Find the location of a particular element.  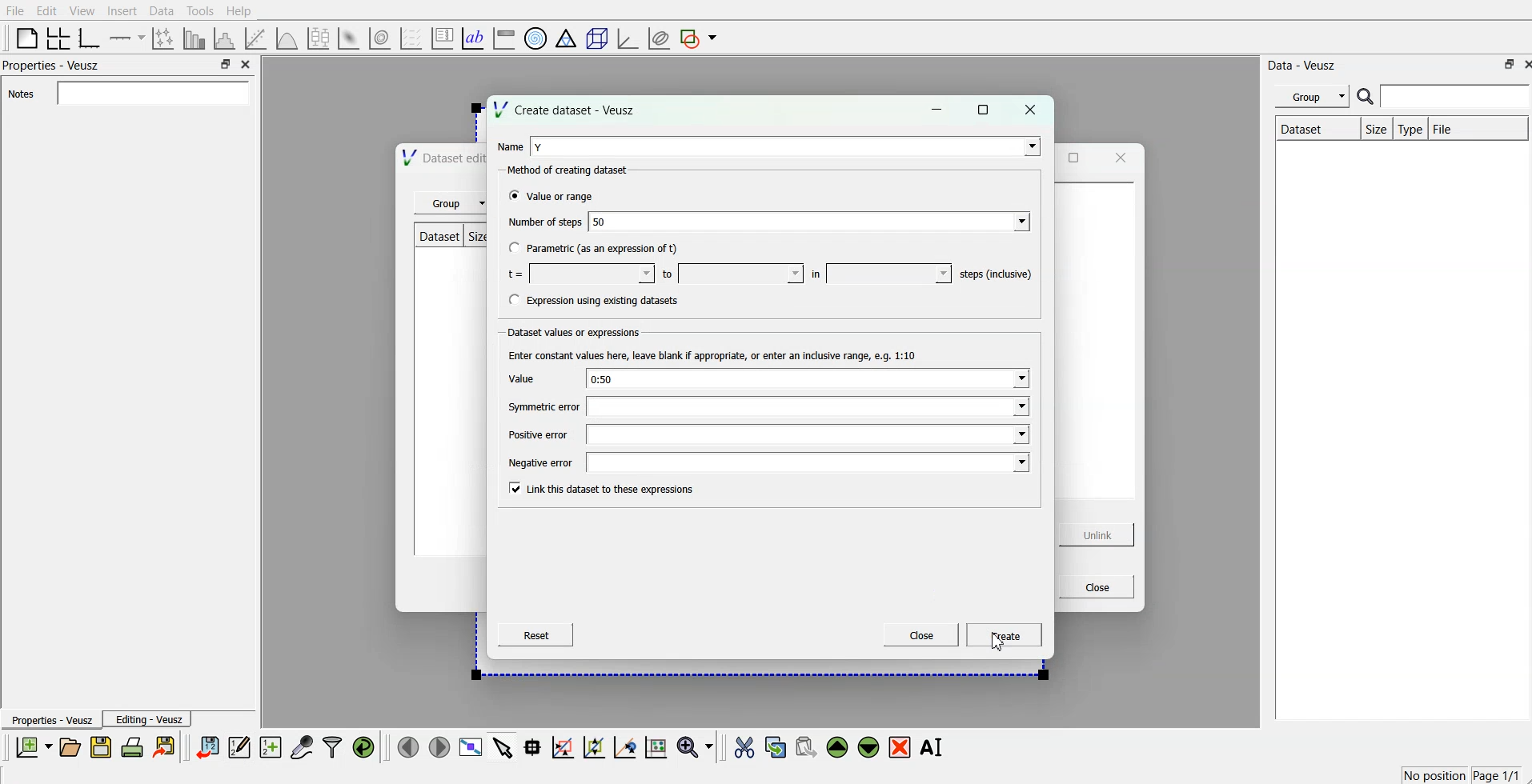

recenter graph axes is located at coordinates (624, 747).